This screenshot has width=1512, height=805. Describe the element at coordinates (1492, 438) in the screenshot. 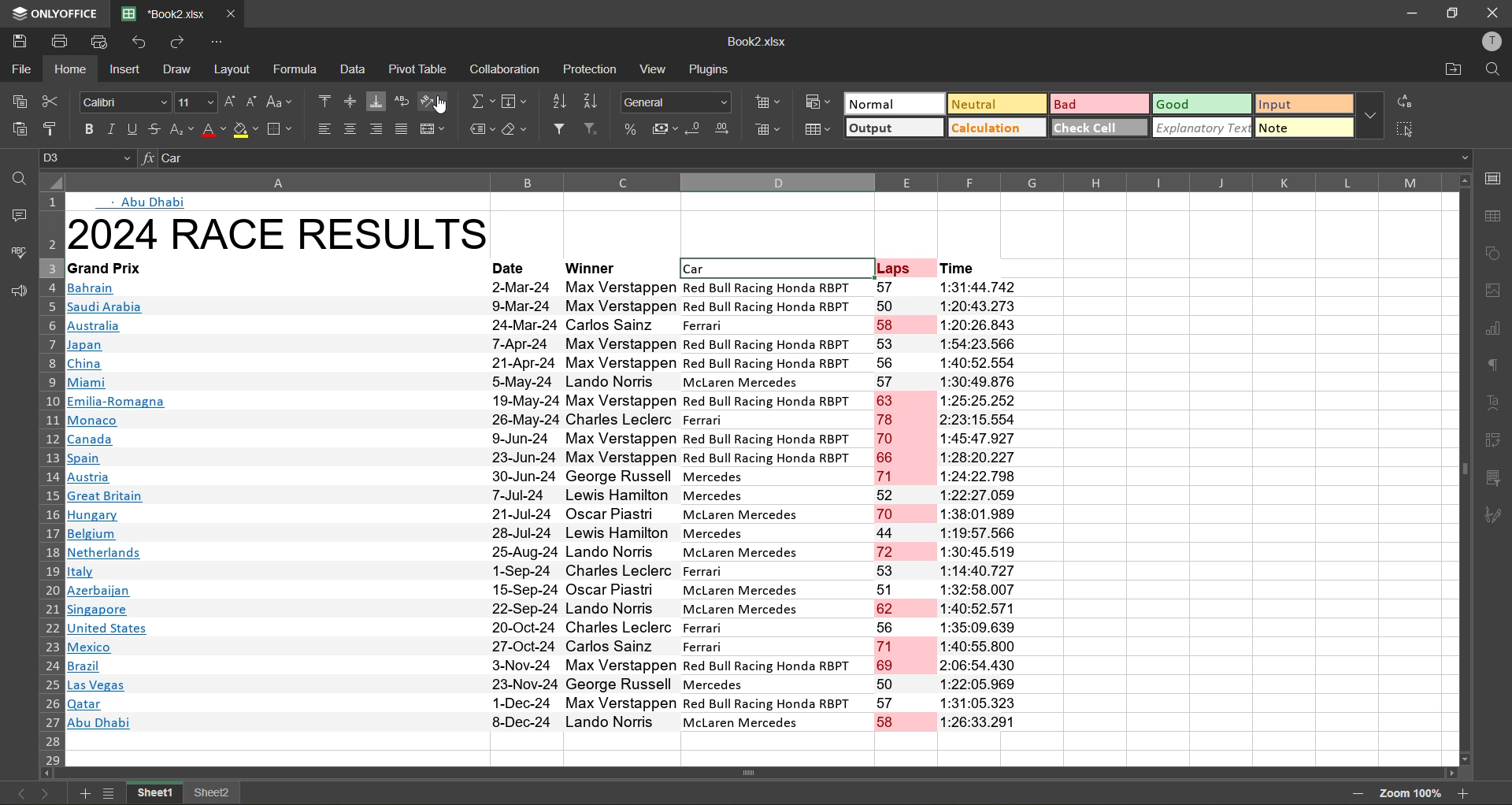

I see `pivot table` at that location.